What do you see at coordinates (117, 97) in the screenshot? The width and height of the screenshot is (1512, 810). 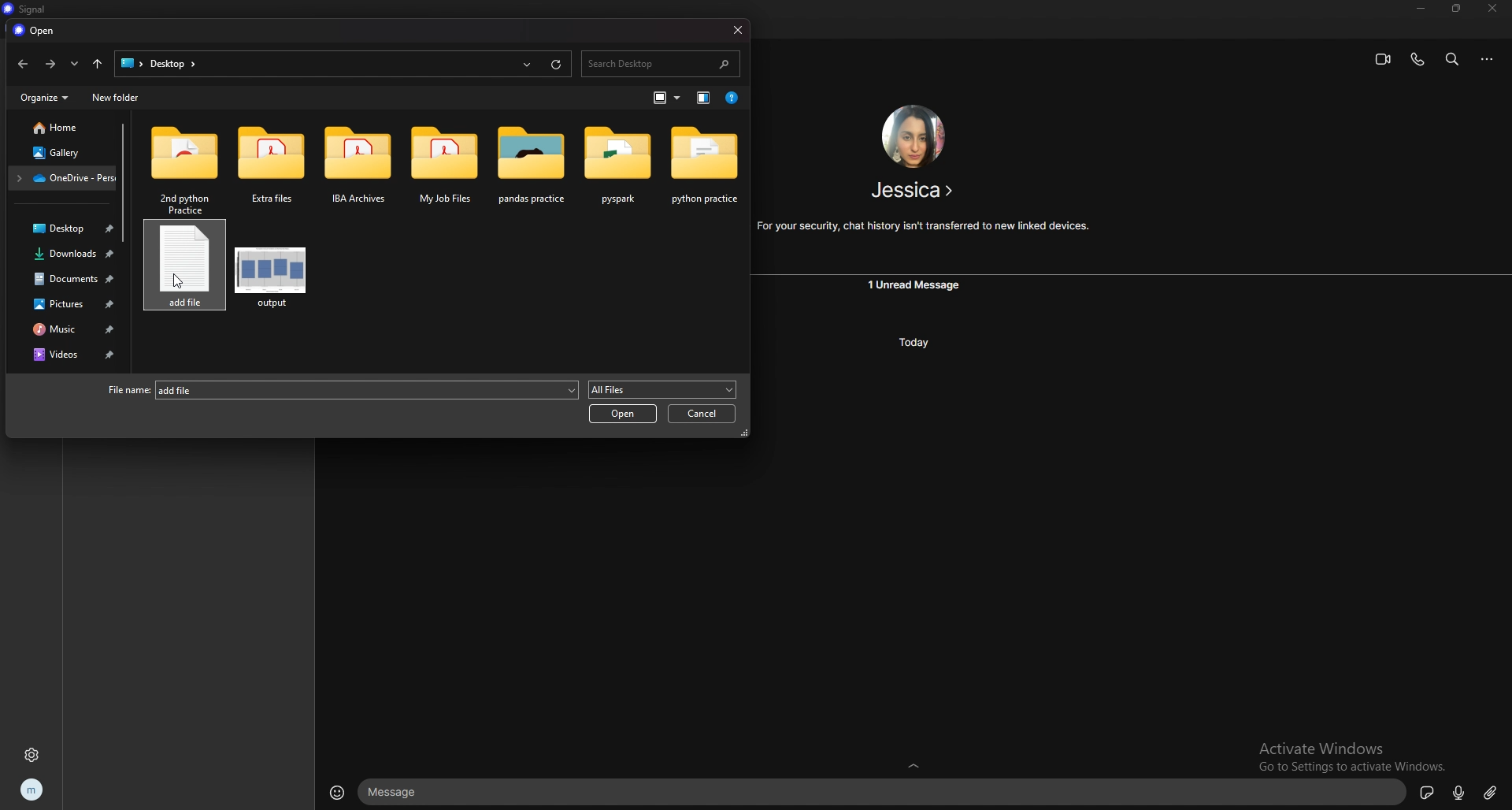 I see `new folder` at bounding box center [117, 97].